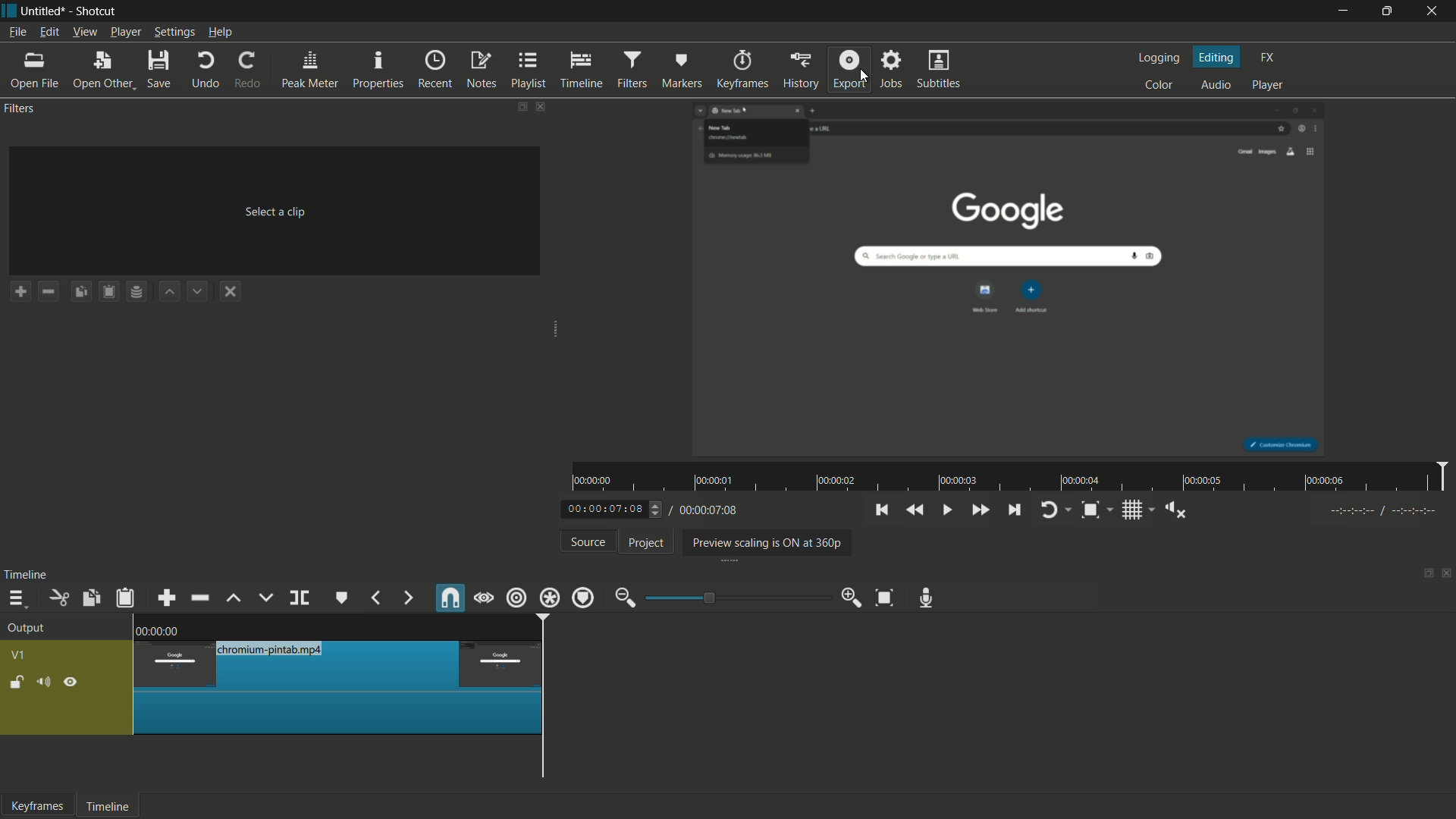 The width and height of the screenshot is (1456, 819). Describe the element at coordinates (248, 69) in the screenshot. I see `redo` at that location.